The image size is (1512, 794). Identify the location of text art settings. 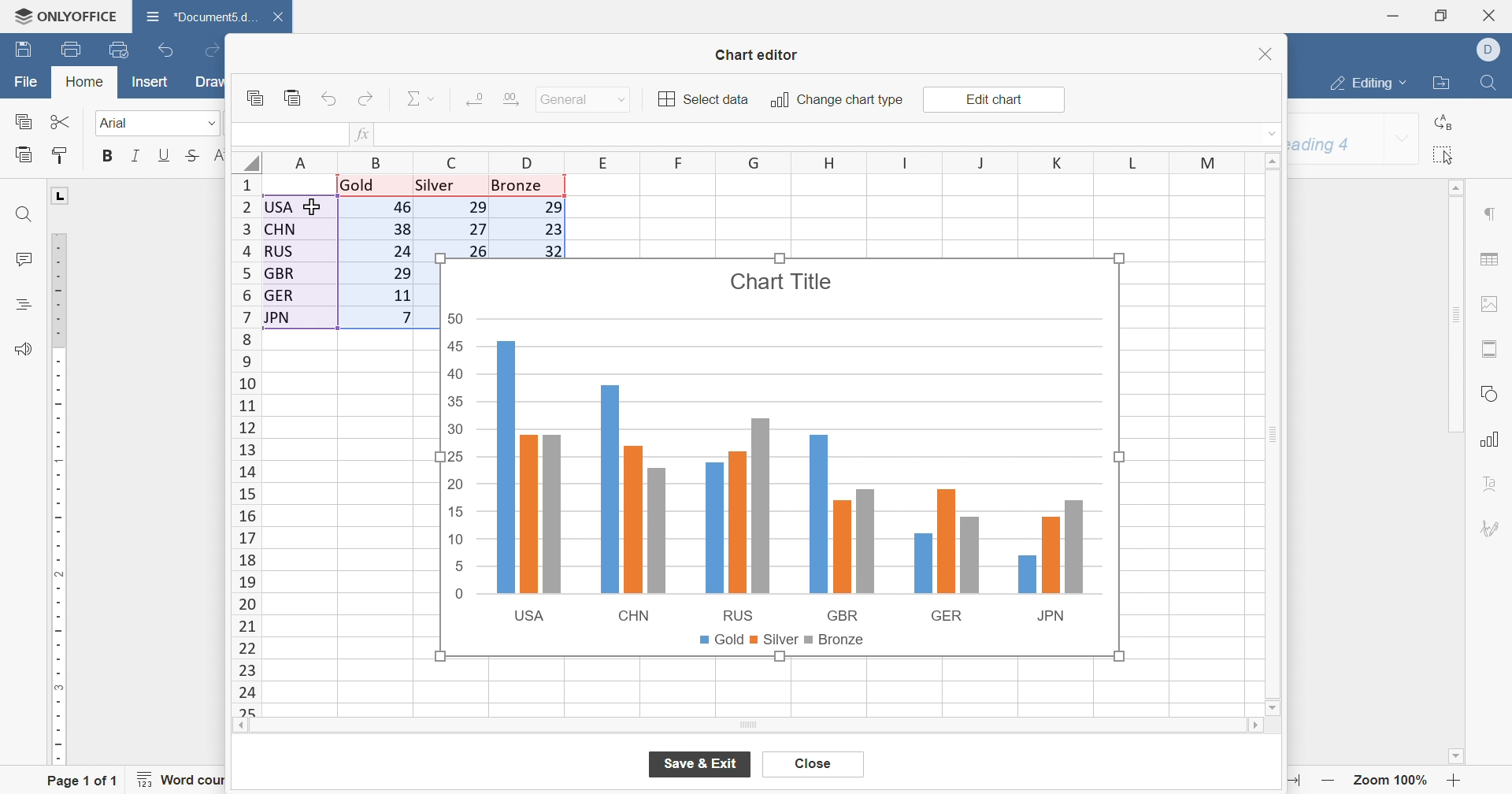
(1489, 483).